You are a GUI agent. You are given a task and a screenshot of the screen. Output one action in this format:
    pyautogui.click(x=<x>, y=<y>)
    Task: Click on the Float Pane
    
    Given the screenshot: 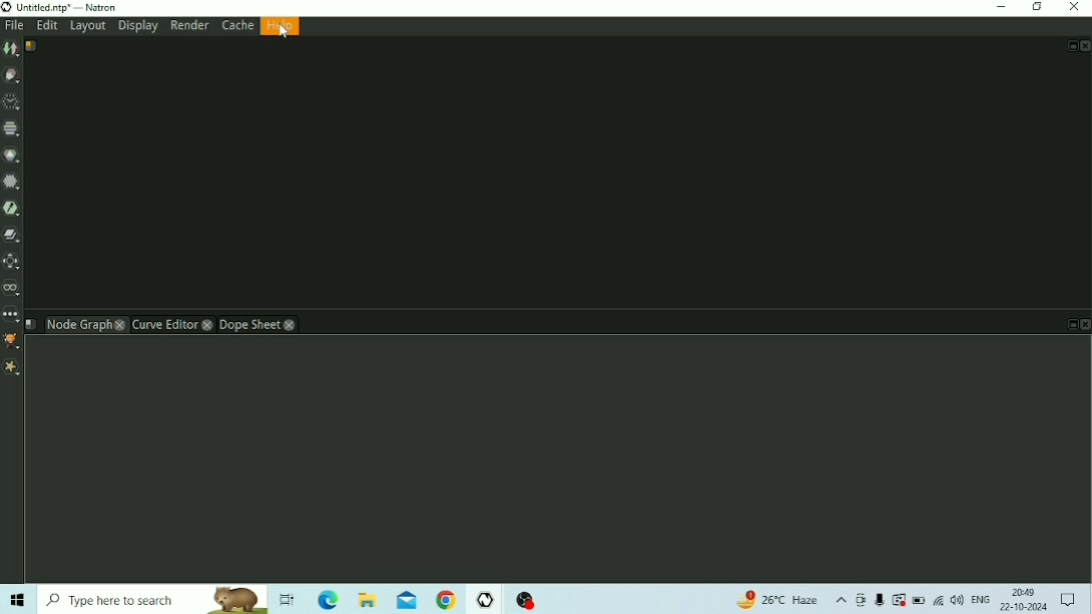 What is the action you would take?
    pyautogui.click(x=1069, y=46)
    